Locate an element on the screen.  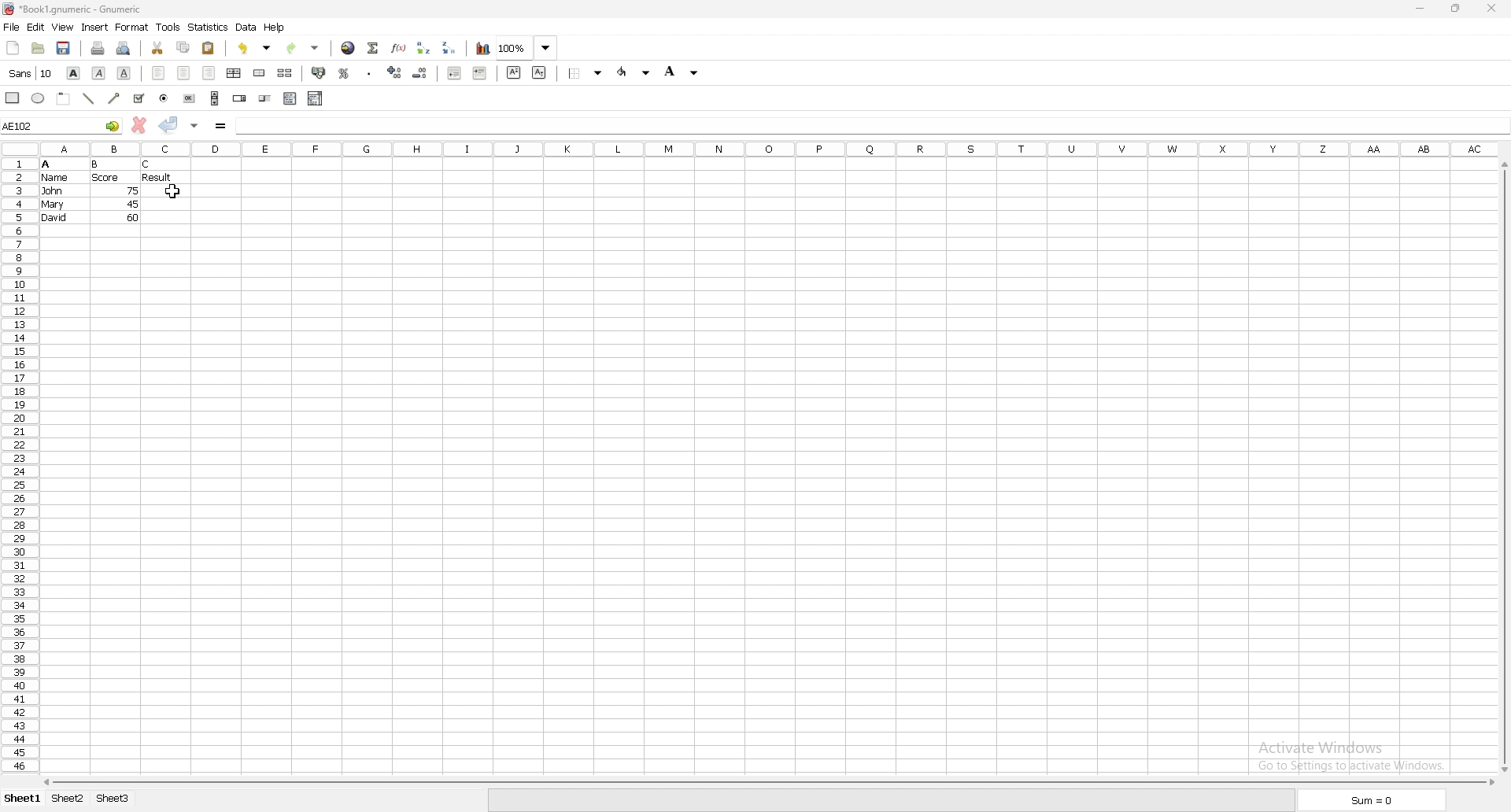
row is located at coordinates (17, 466).